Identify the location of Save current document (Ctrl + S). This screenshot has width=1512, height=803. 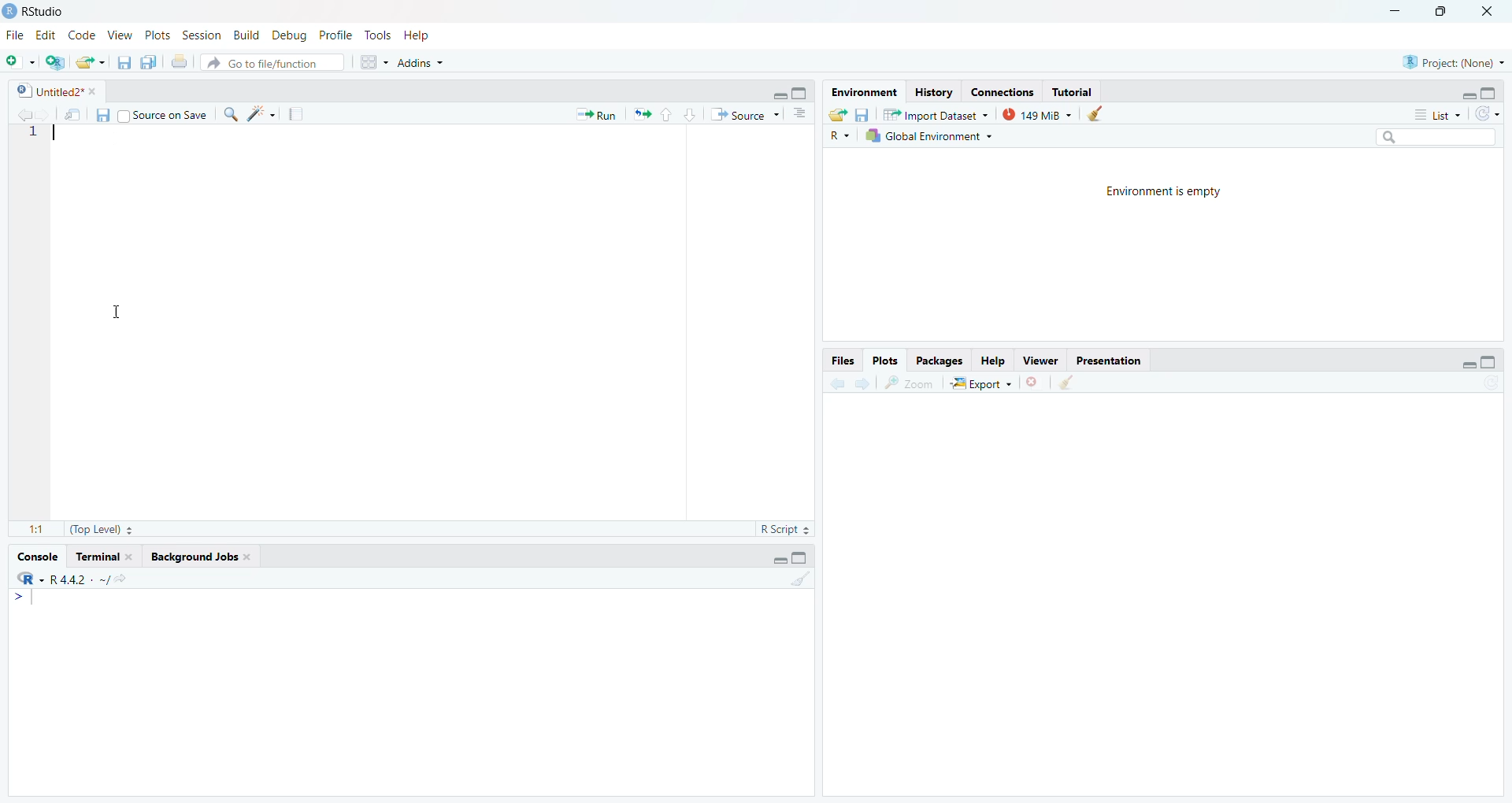
(122, 62).